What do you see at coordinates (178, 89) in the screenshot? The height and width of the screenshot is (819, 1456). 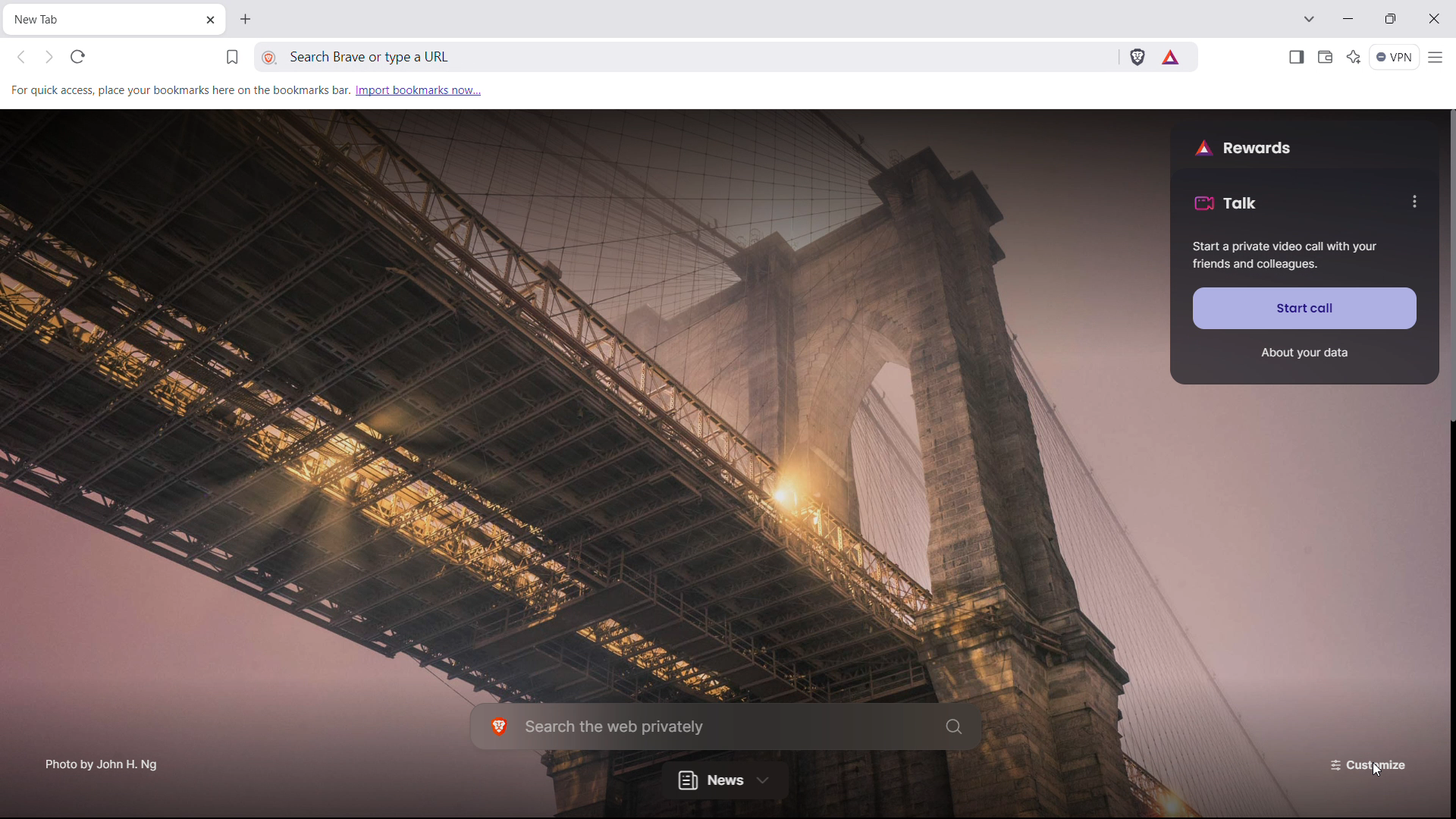 I see `For quick access, place your bookmarks here on the bookmarks bar.` at bounding box center [178, 89].